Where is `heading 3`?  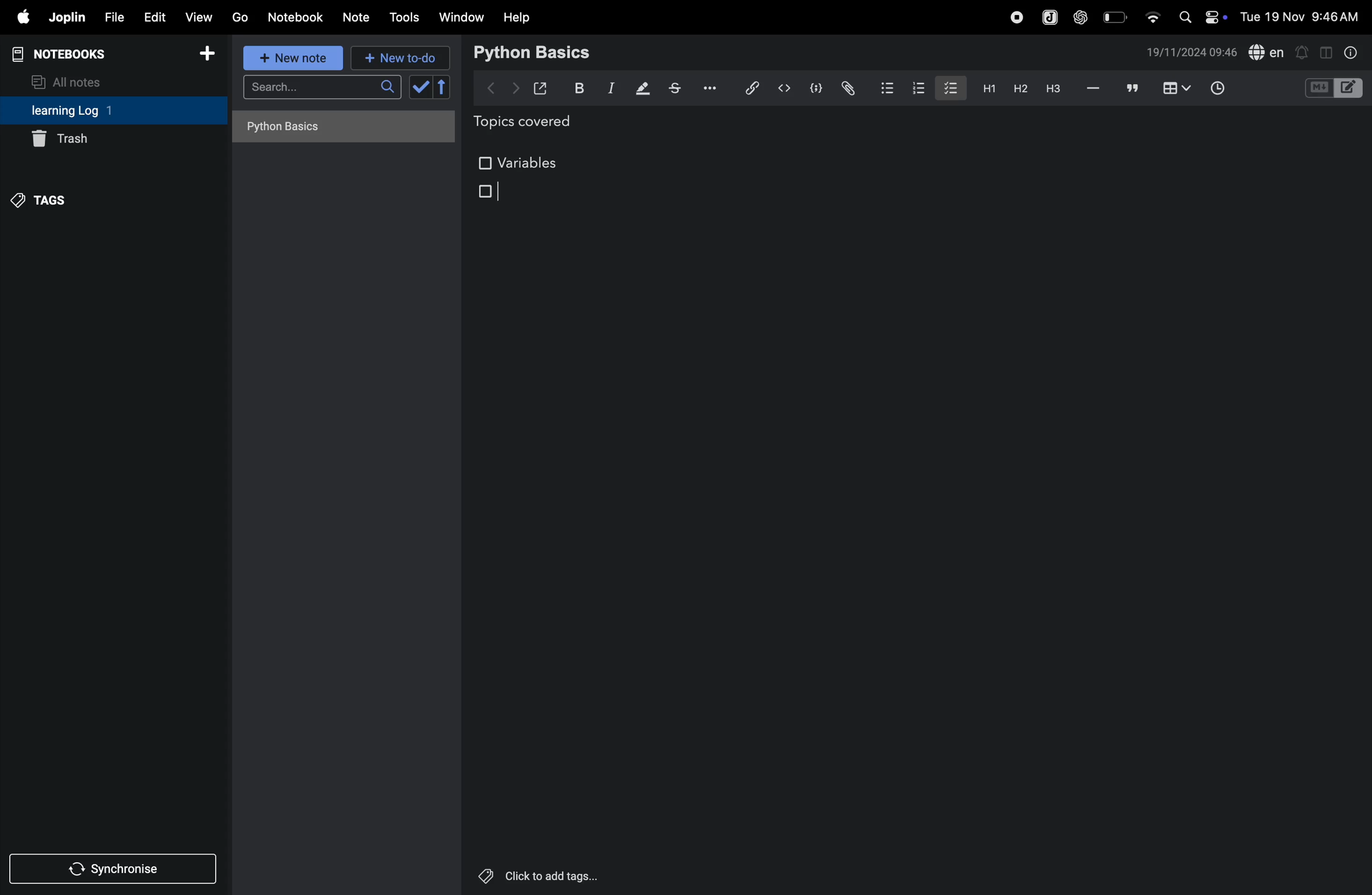 heading 3 is located at coordinates (1053, 89).